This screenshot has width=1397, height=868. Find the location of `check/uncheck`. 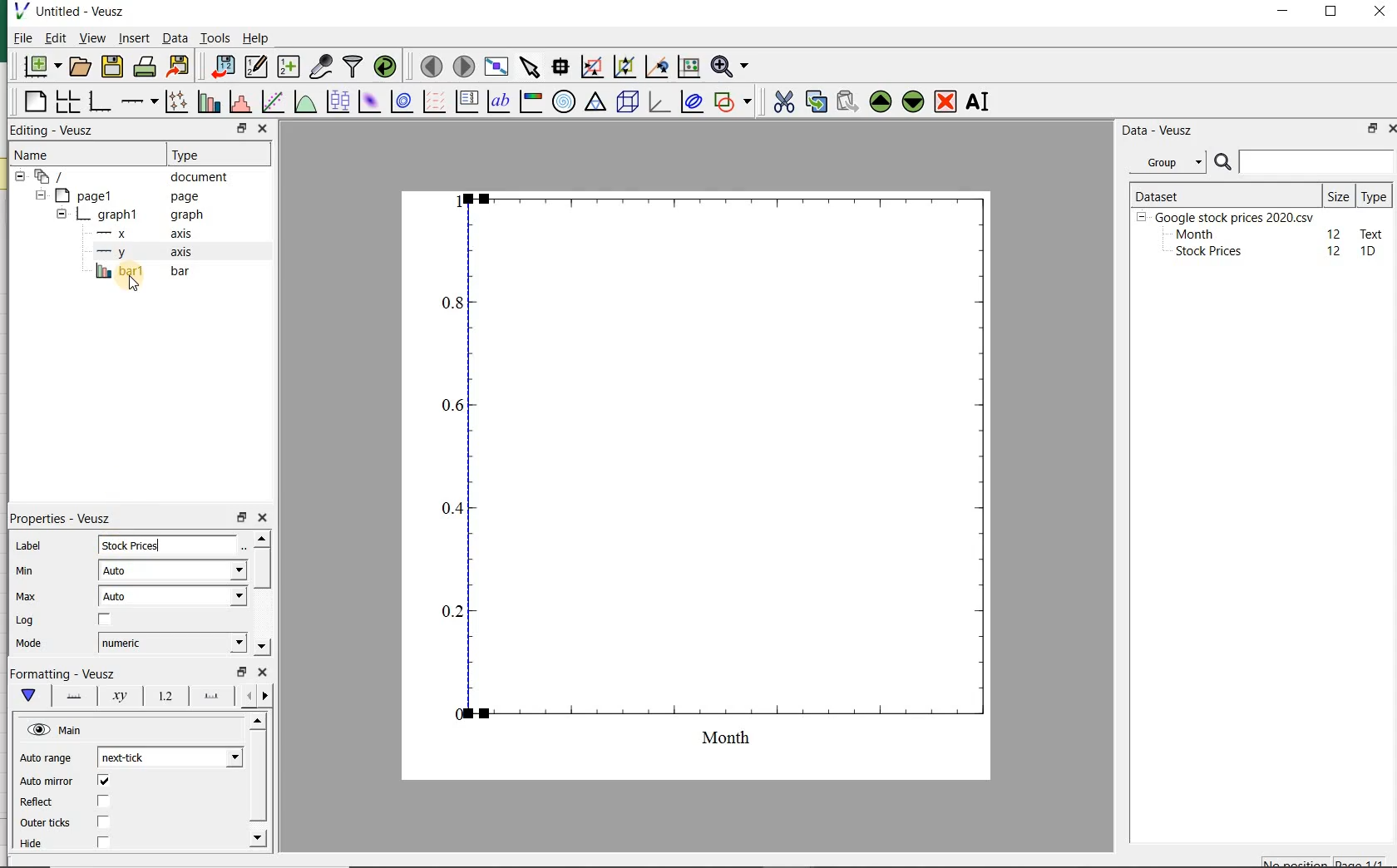

check/uncheck is located at coordinates (102, 843).